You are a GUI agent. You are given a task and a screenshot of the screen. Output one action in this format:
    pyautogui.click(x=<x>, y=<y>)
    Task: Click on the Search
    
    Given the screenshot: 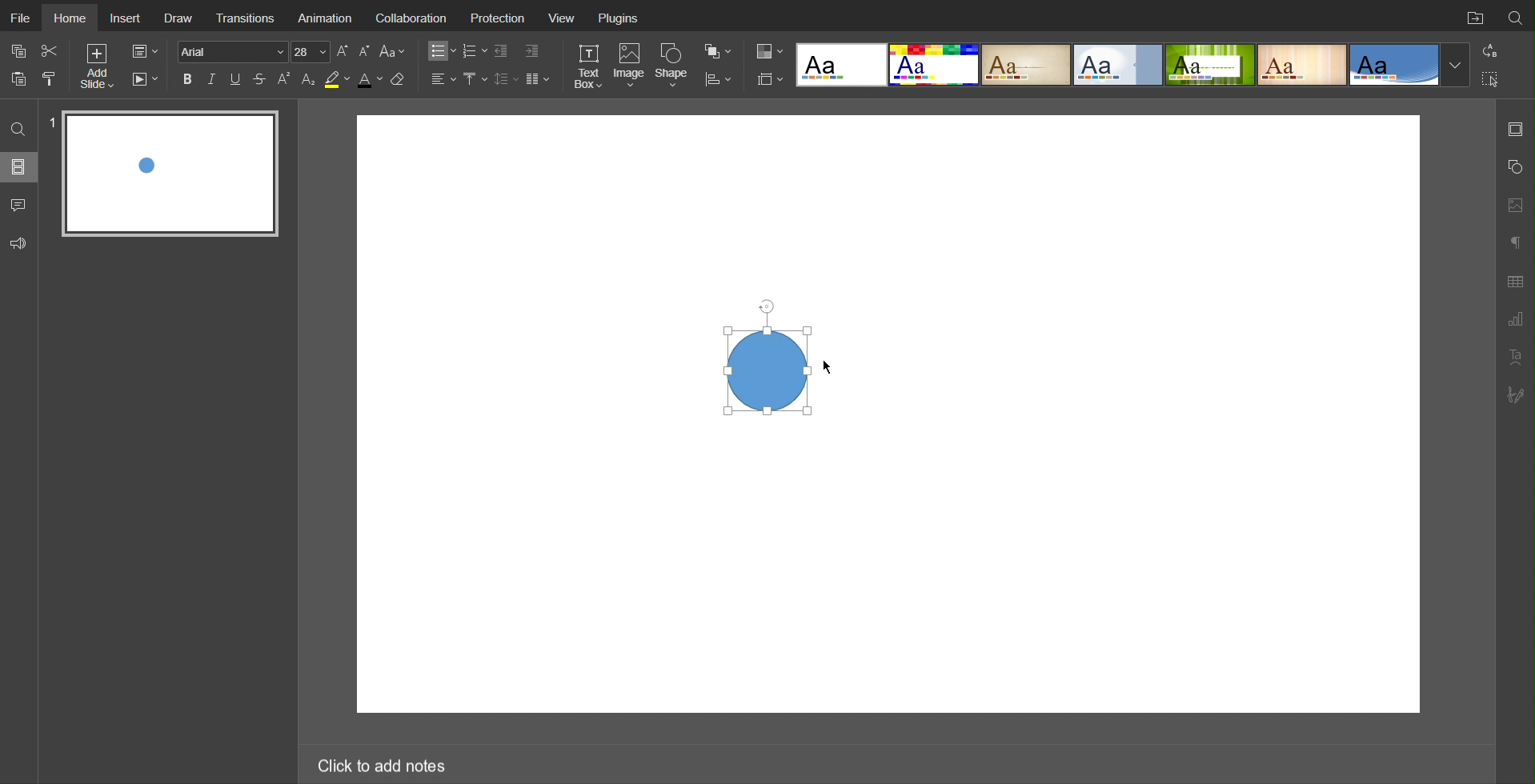 What is the action you would take?
    pyautogui.click(x=1516, y=15)
    